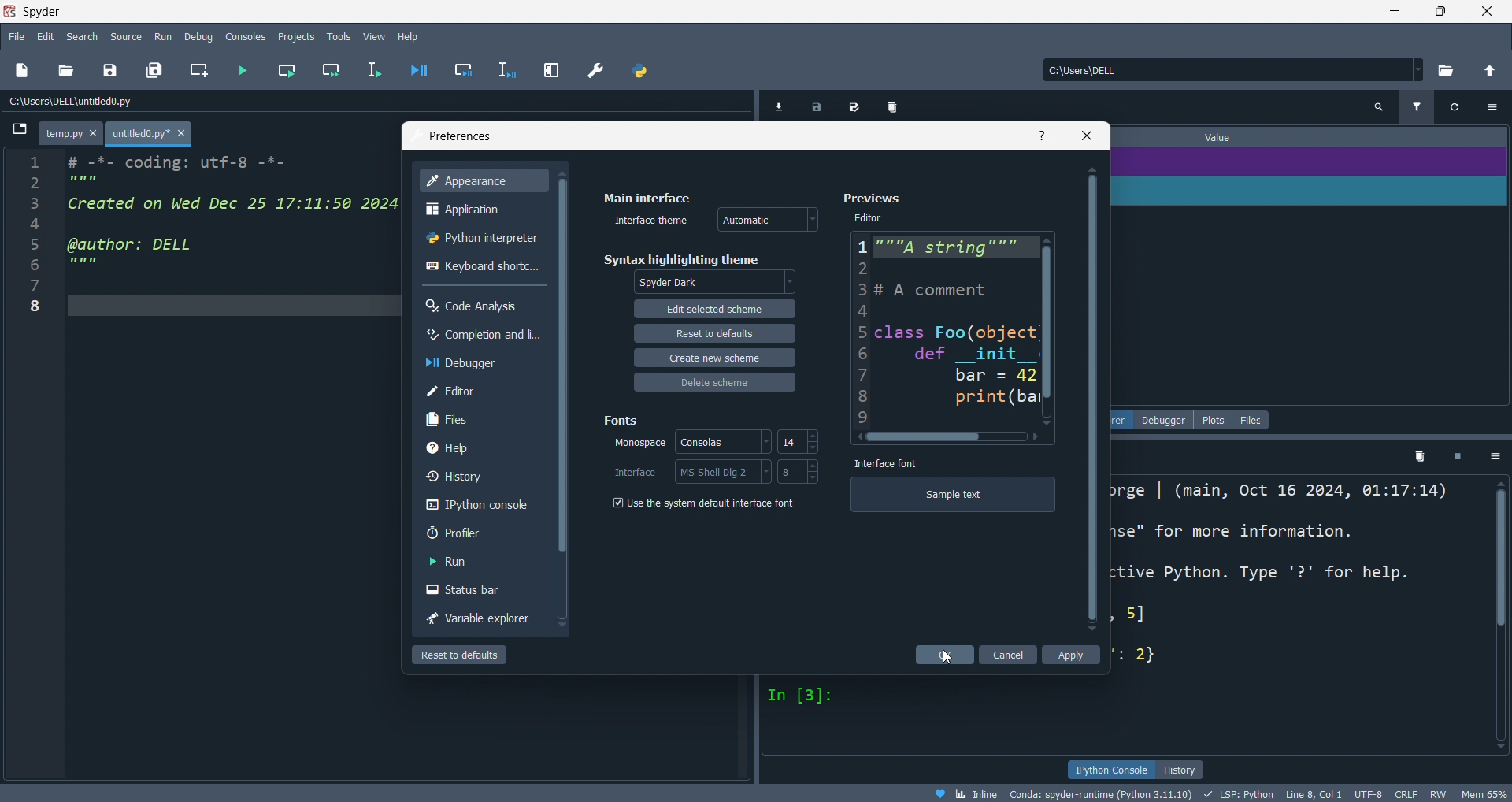 This screenshot has width=1512, height=802. Describe the element at coordinates (687, 444) in the screenshot. I see `monospace: Cansolas` at that location.